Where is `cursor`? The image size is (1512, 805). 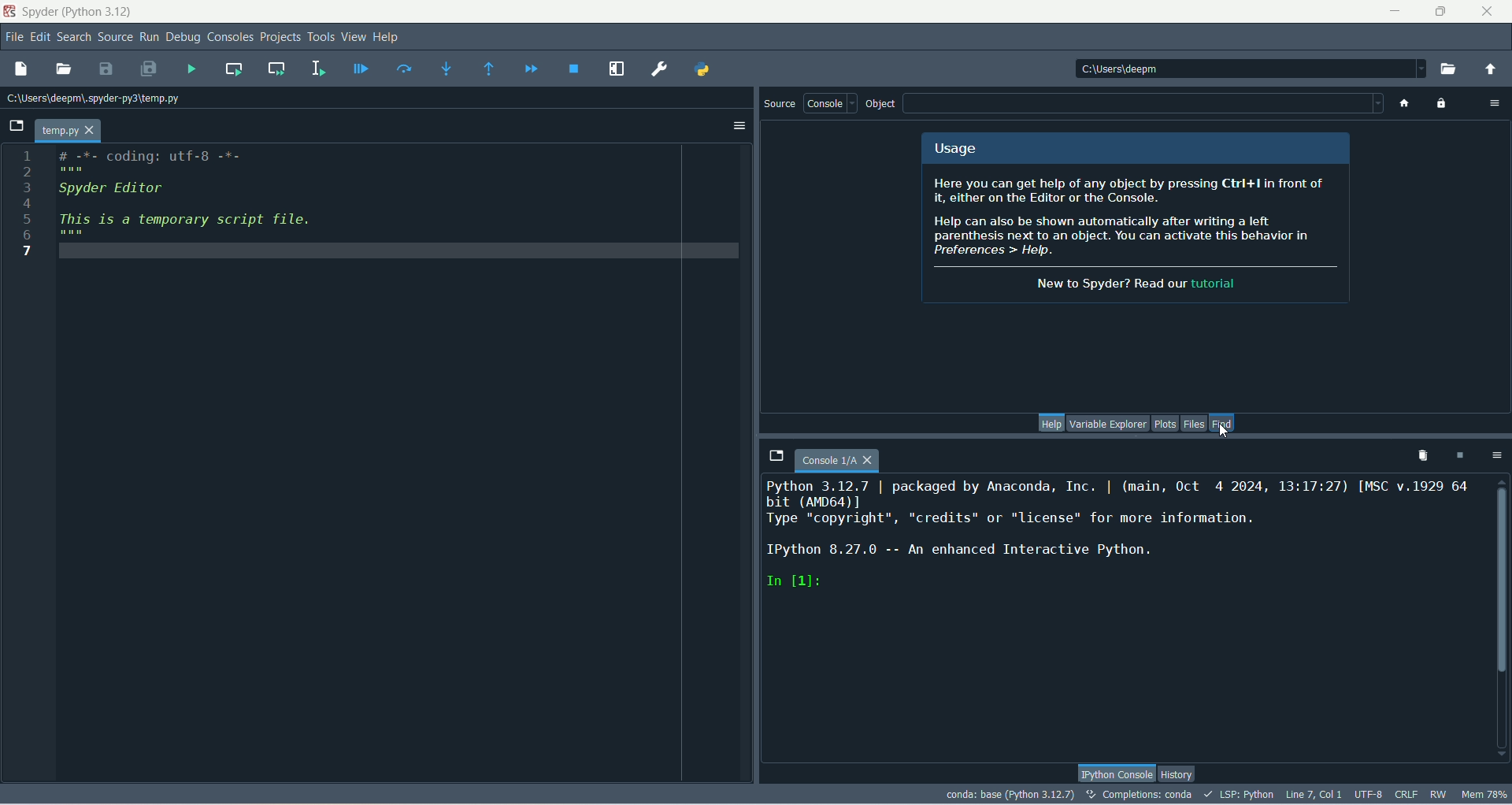
cursor is located at coordinates (1226, 432).